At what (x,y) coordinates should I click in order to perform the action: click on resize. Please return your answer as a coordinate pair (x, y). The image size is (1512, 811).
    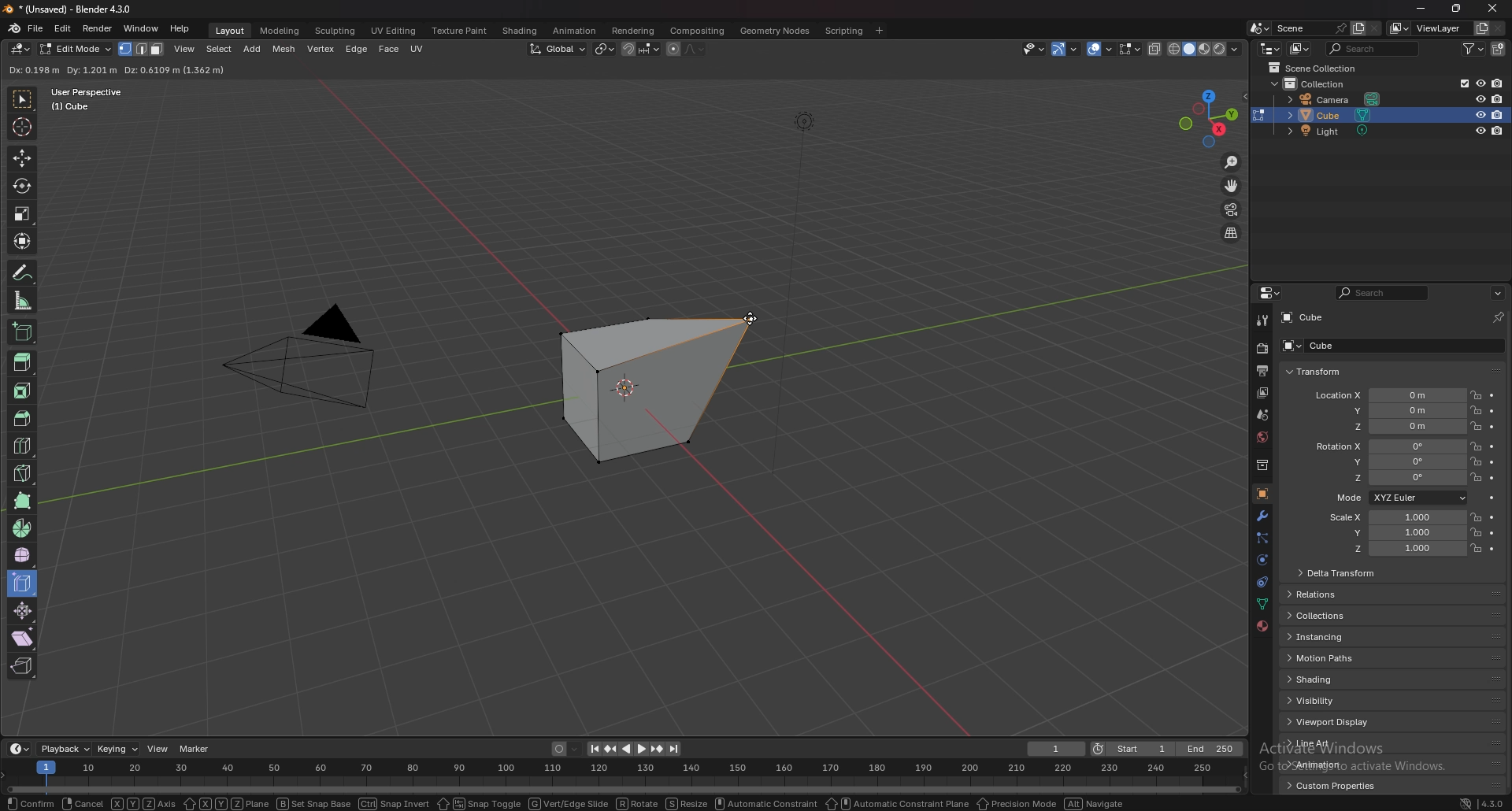
    Looking at the image, I should click on (1457, 9).